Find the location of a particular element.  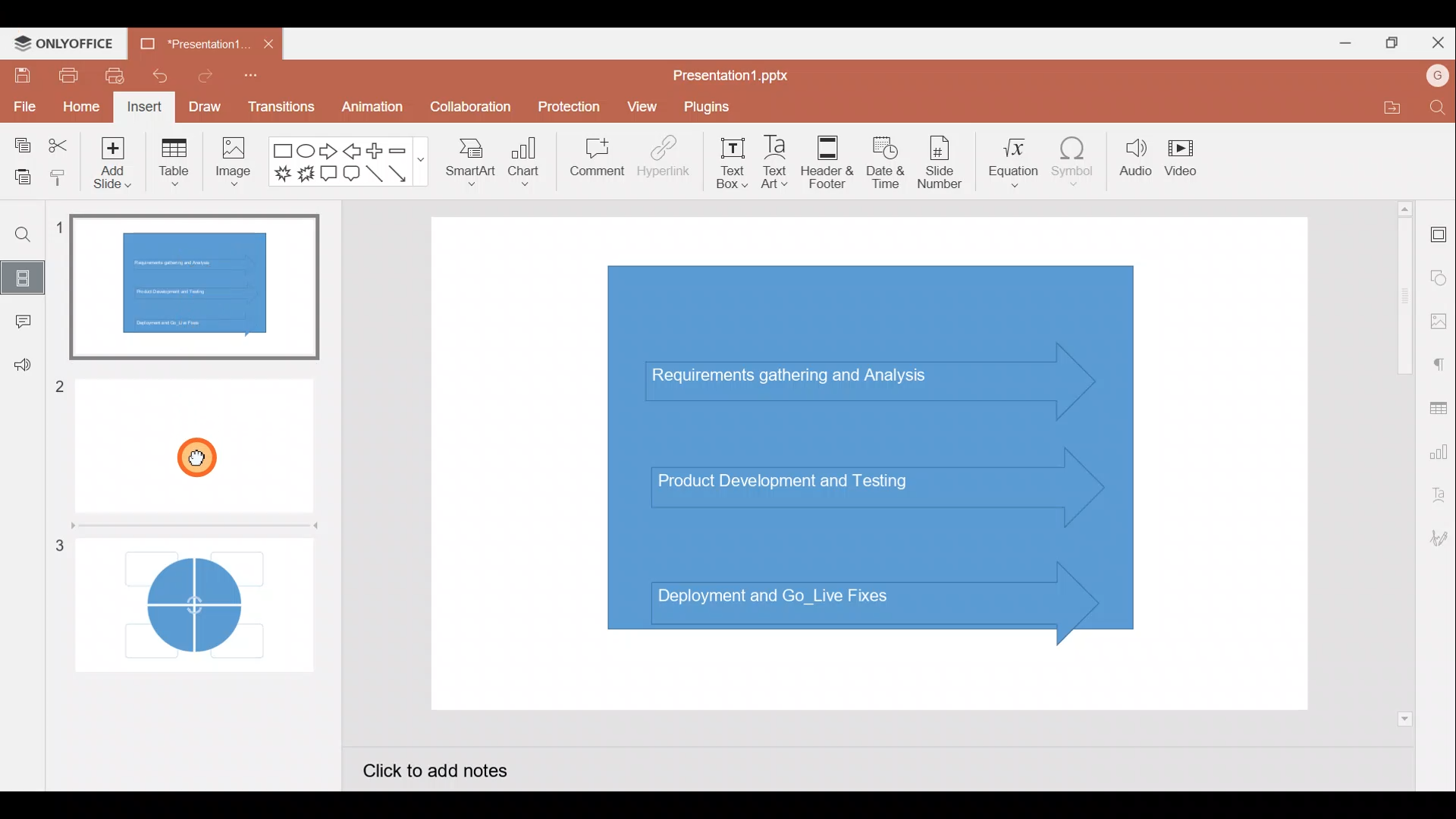

Right arrow is located at coordinates (329, 152).